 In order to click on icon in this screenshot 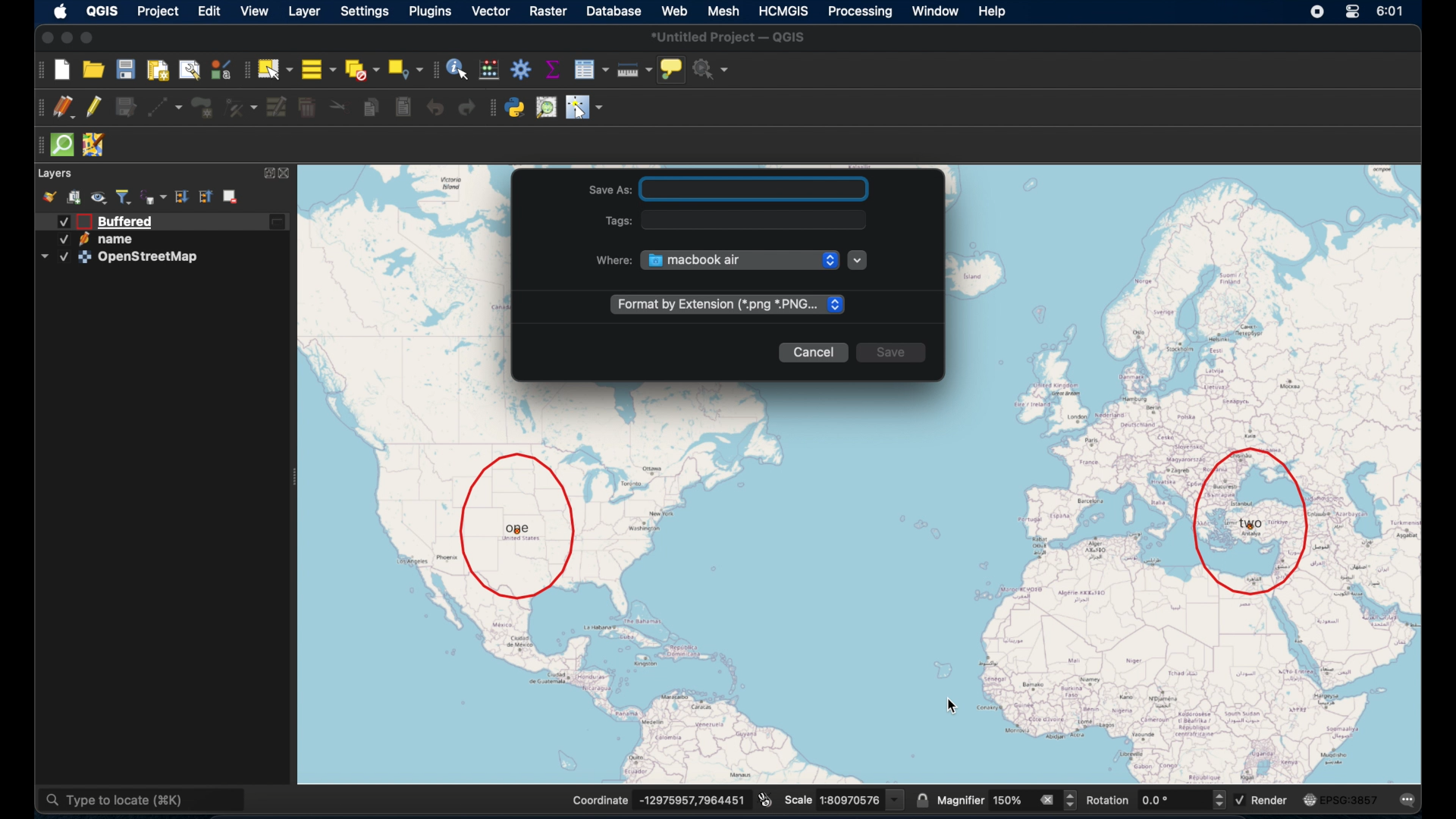, I will do `click(83, 240)`.